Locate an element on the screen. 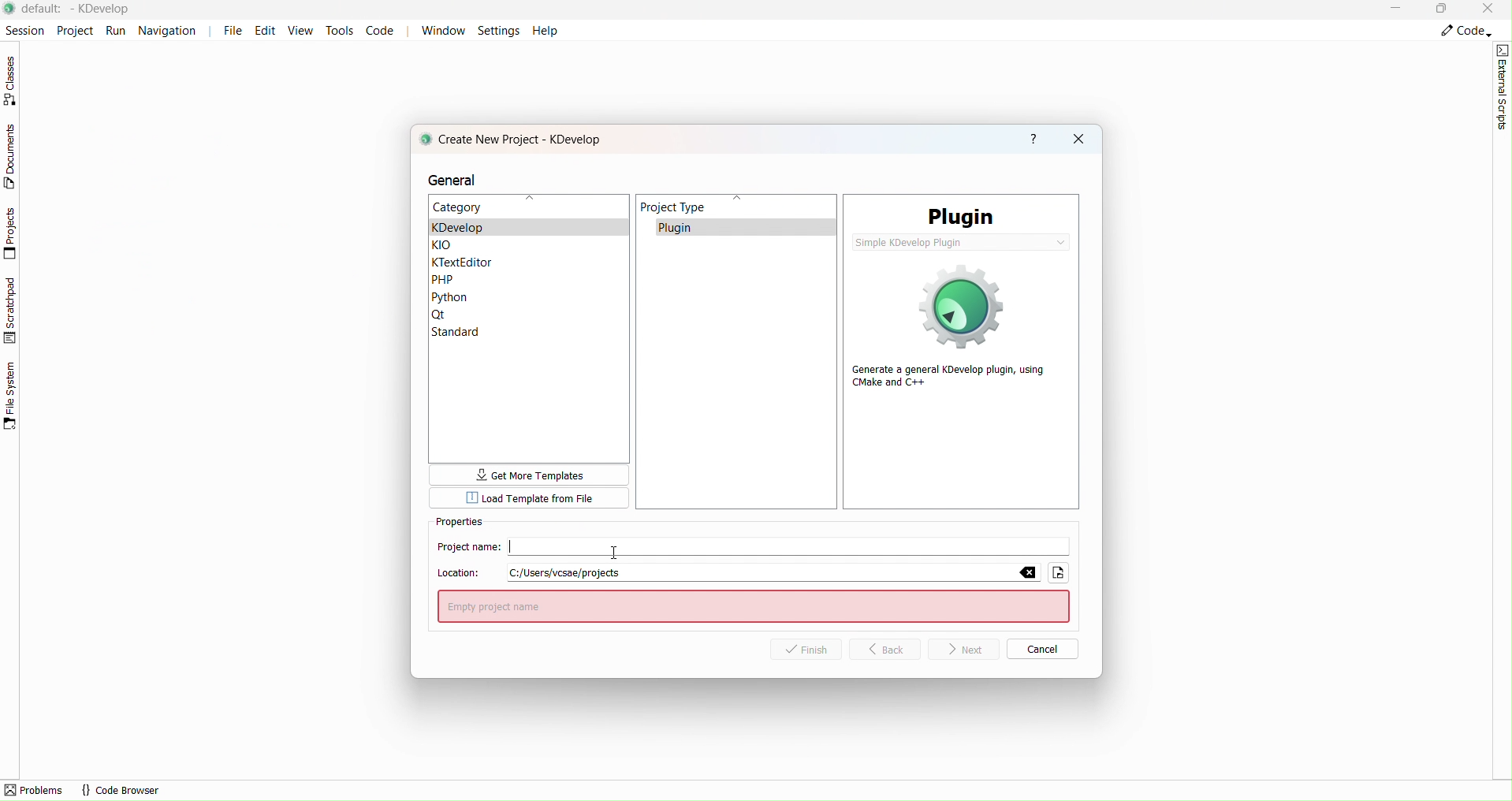 The width and height of the screenshot is (1512, 801). more templates is located at coordinates (529, 475).